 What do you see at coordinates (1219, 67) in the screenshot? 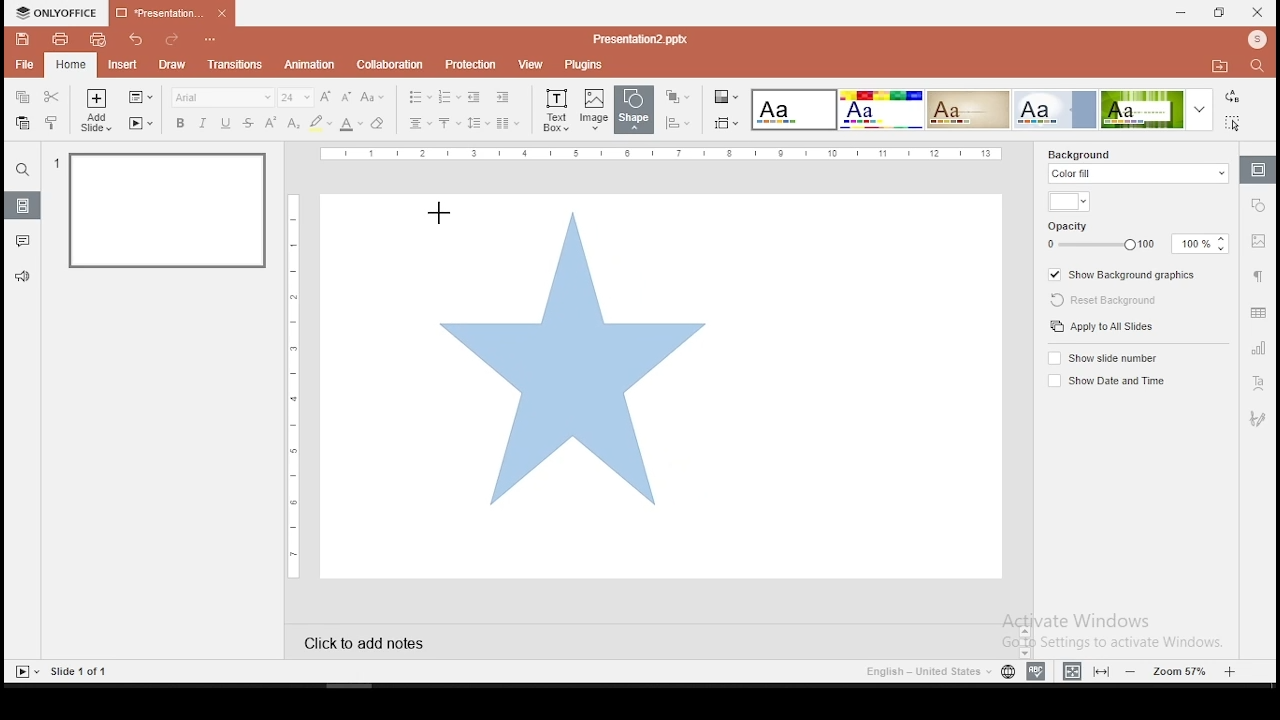
I see `open file location` at bounding box center [1219, 67].